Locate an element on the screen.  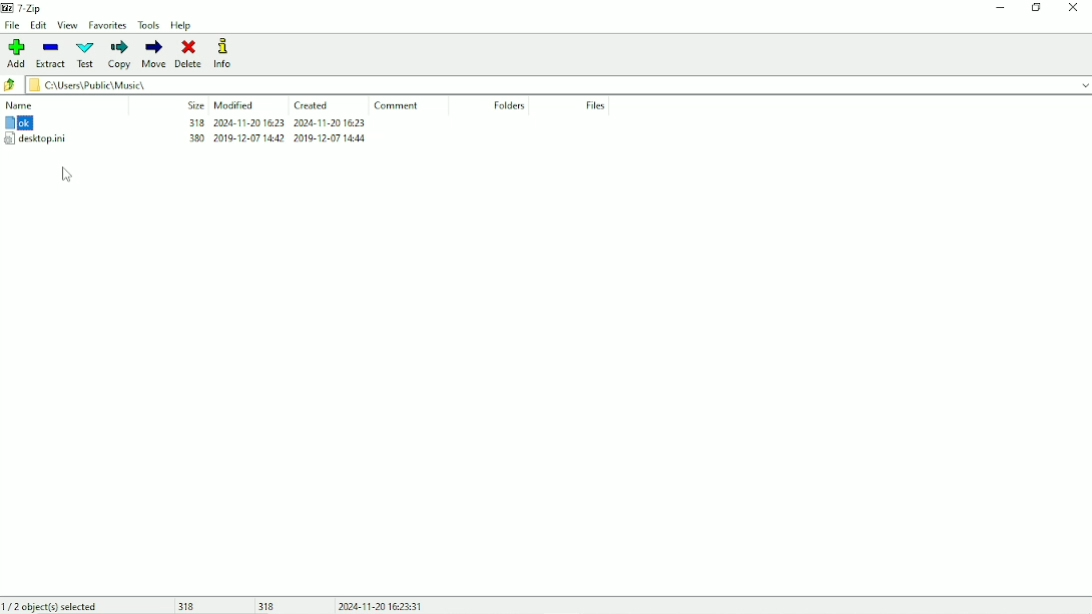
Cursor is located at coordinates (65, 175).